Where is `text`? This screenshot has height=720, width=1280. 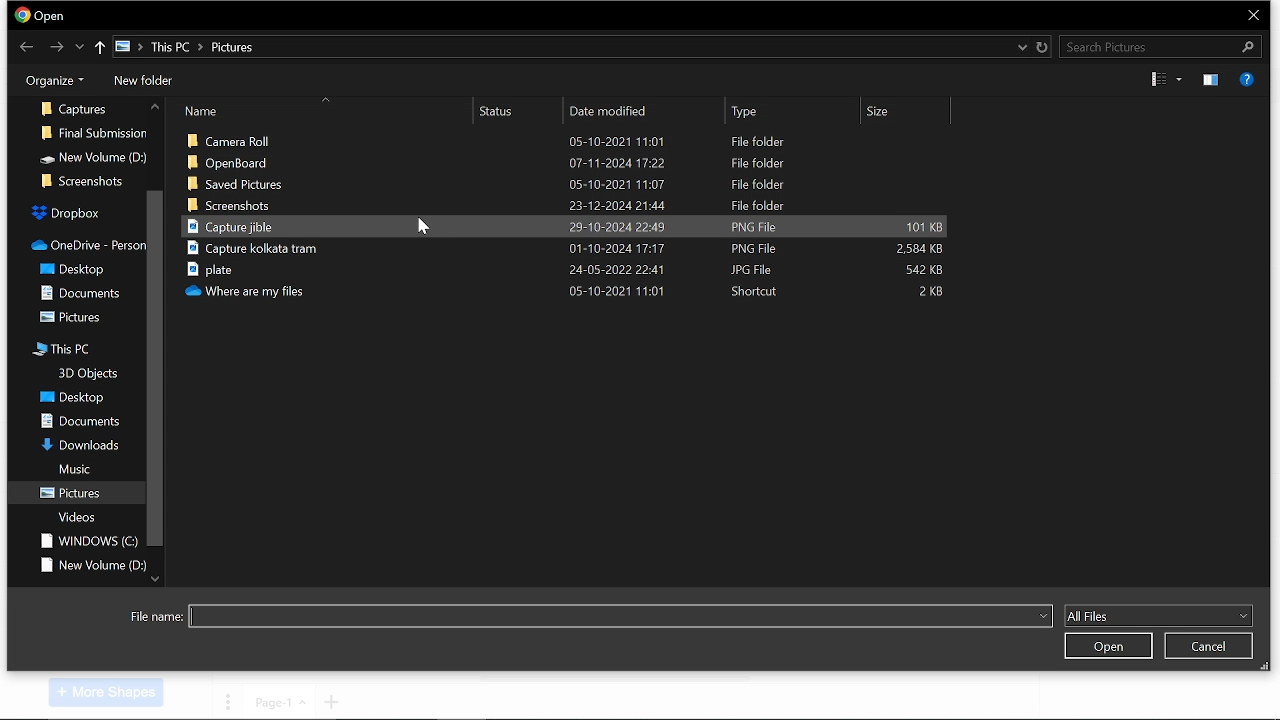 text is located at coordinates (156, 617).